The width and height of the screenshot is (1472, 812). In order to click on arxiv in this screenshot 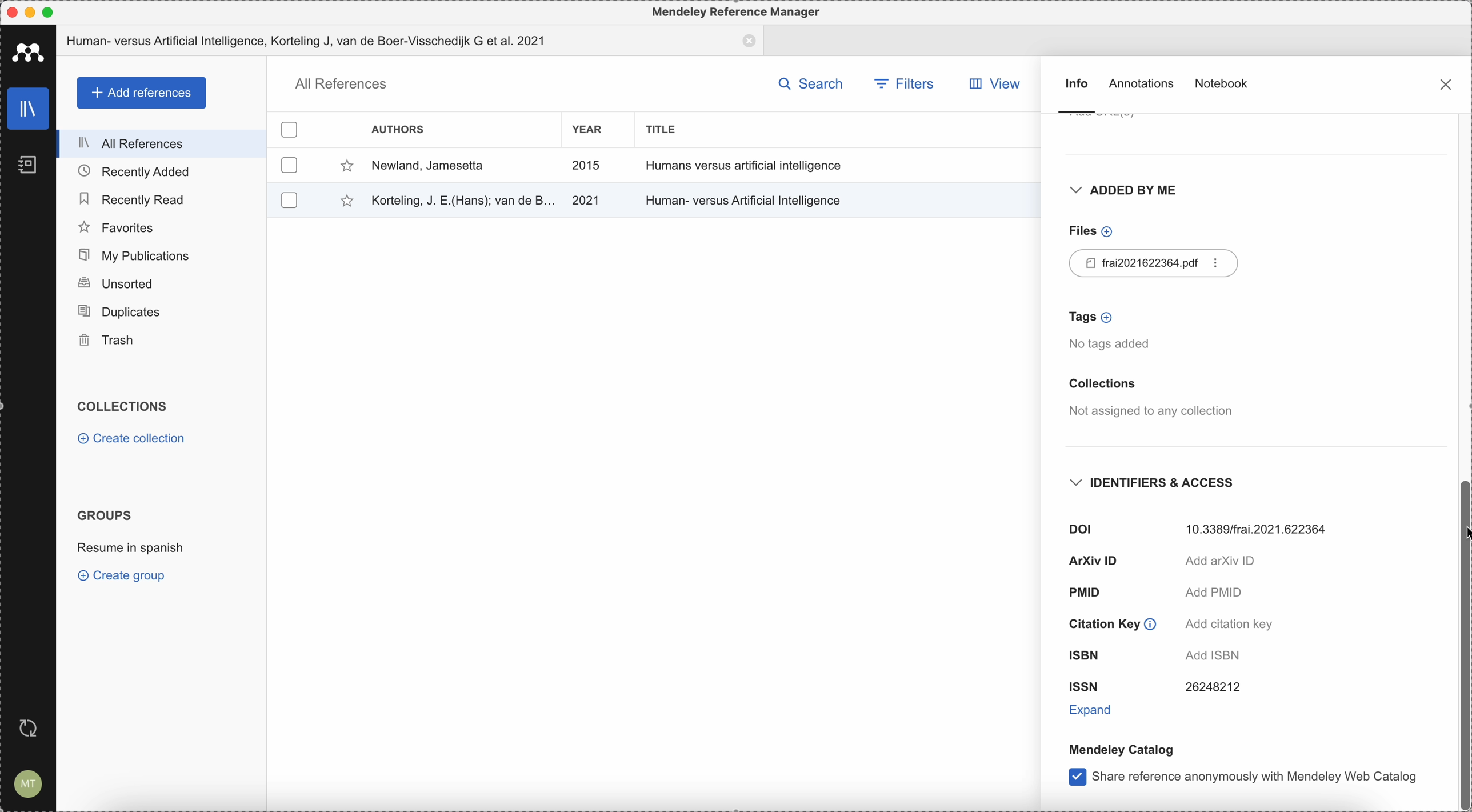, I will do `click(1163, 562)`.